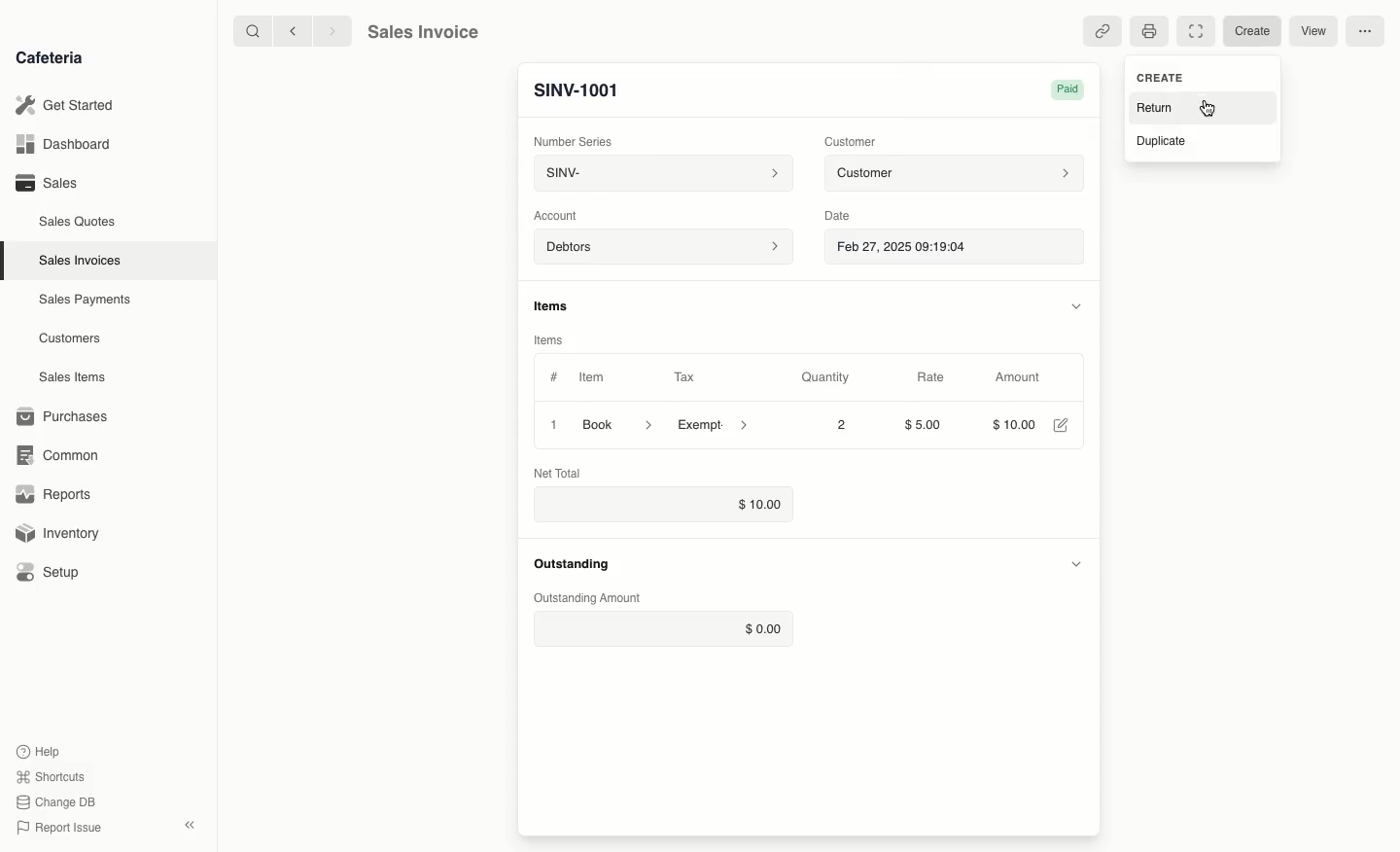 Image resolution: width=1400 pixels, height=852 pixels. What do you see at coordinates (1011, 423) in the screenshot?
I see `$10.00` at bounding box center [1011, 423].